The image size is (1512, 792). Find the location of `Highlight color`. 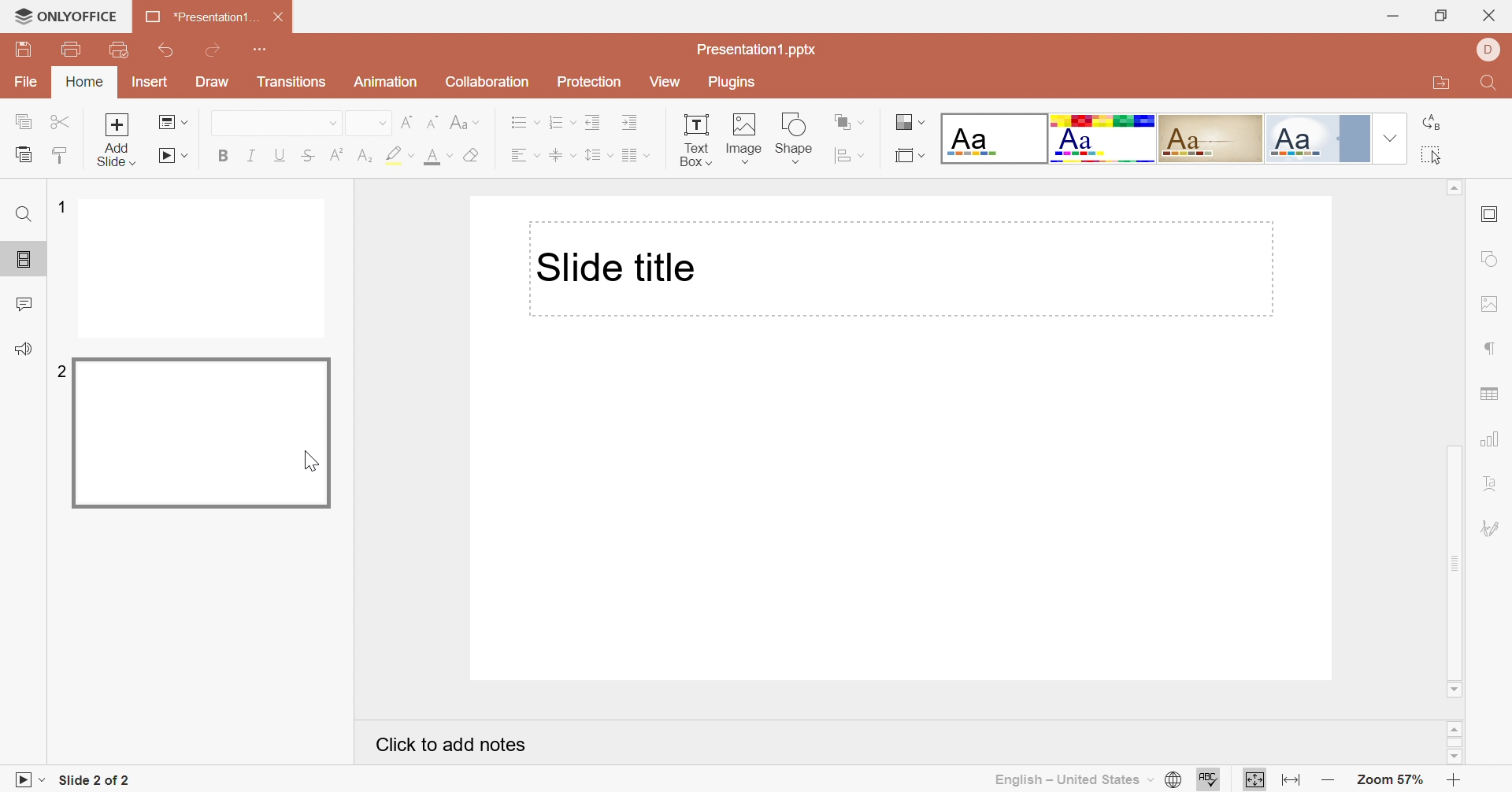

Highlight color is located at coordinates (400, 154).